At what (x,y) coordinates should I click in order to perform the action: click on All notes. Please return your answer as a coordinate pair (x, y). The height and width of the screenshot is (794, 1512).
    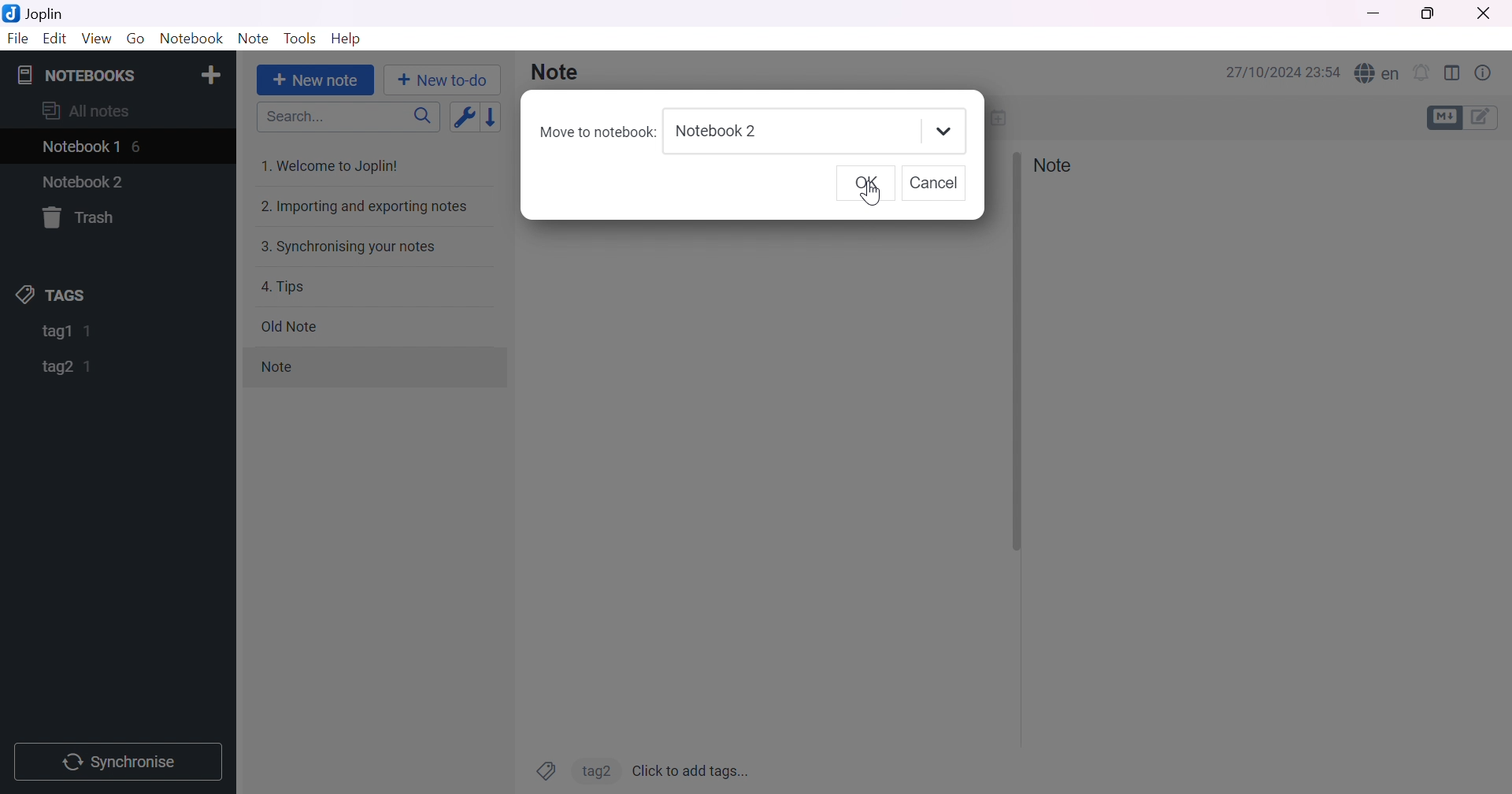
    Looking at the image, I should click on (86, 109).